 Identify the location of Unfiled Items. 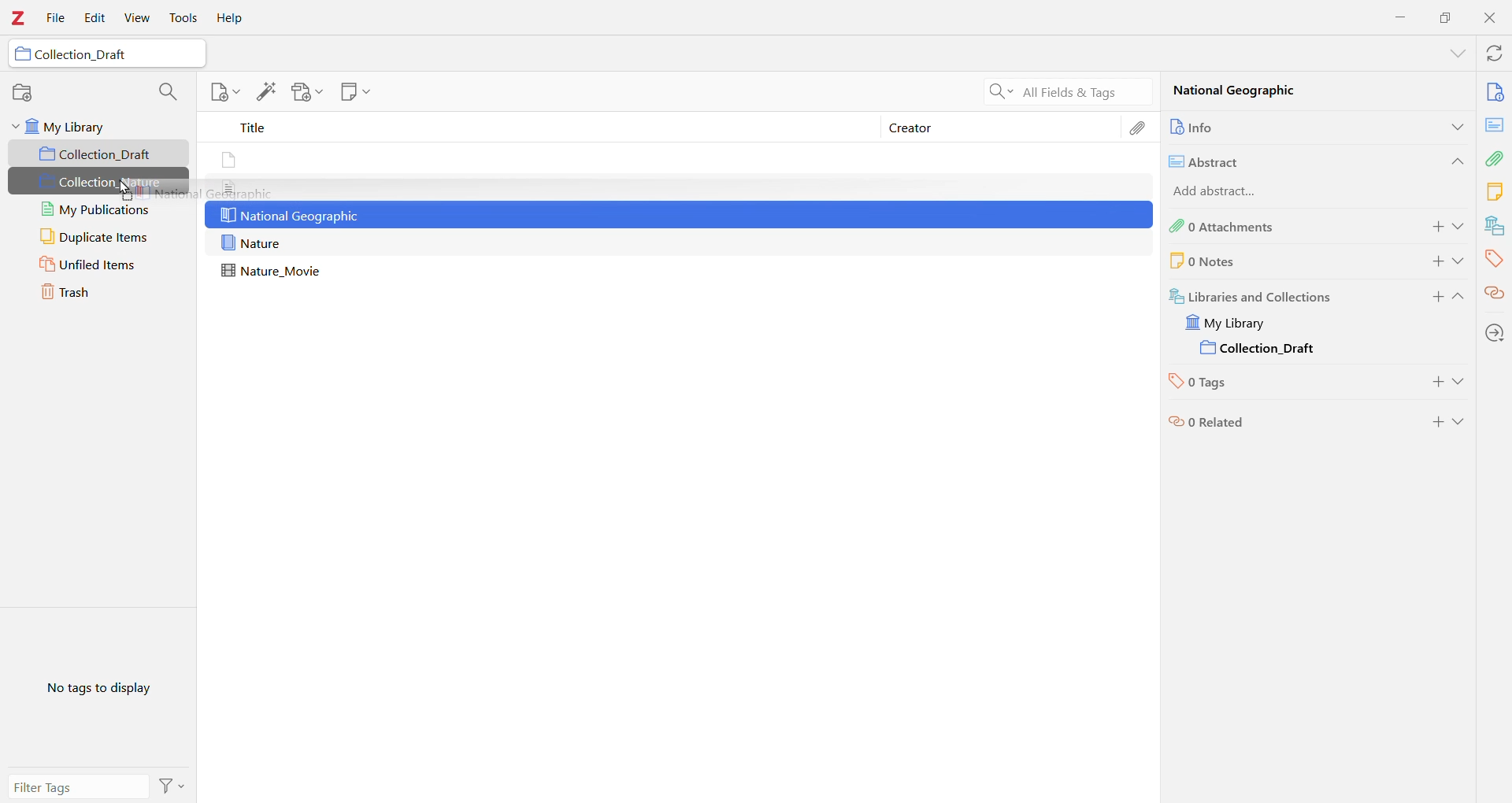
(100, 265).